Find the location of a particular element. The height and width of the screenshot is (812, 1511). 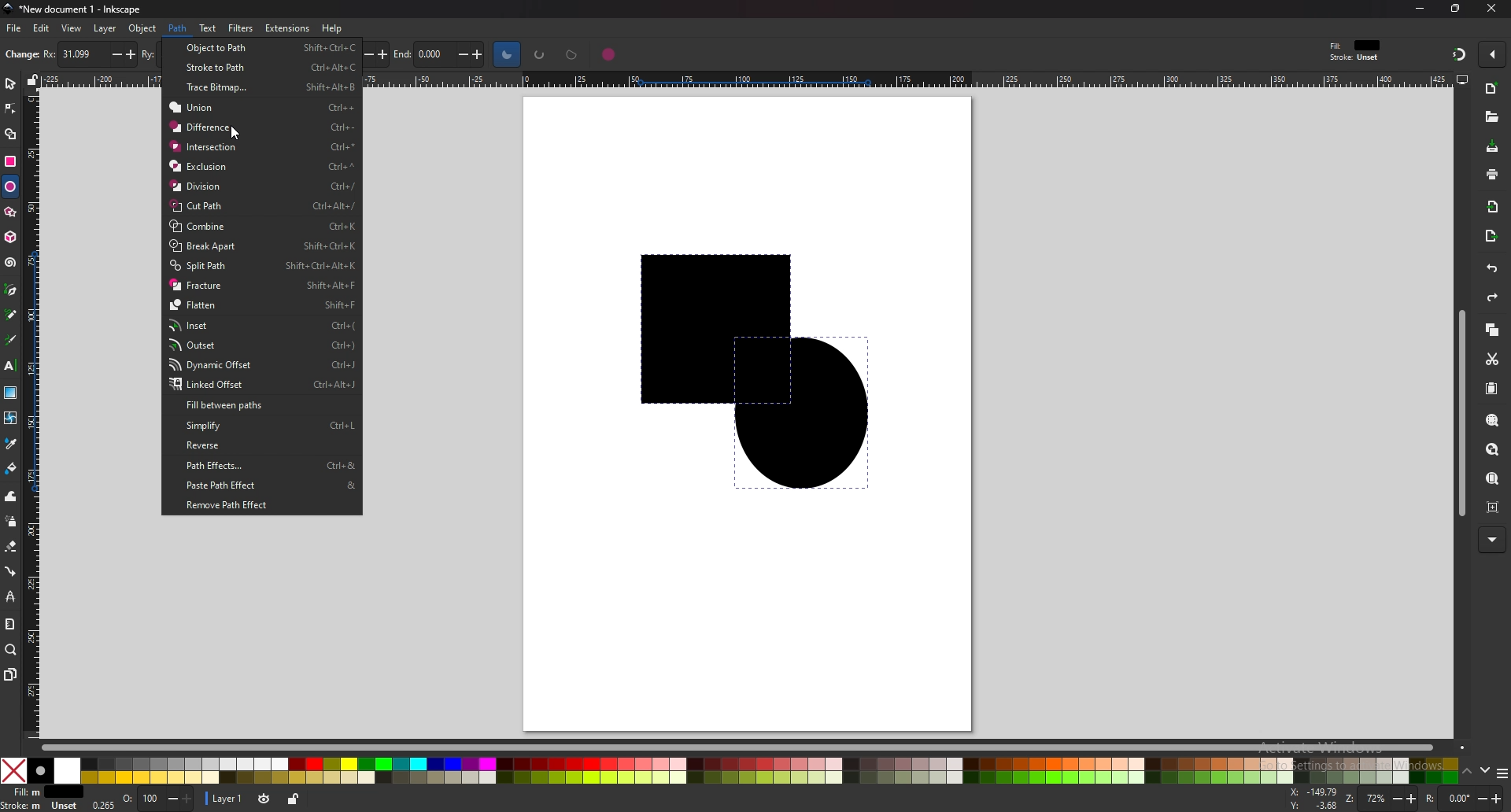

object to path is located at coordinates (260, 48).